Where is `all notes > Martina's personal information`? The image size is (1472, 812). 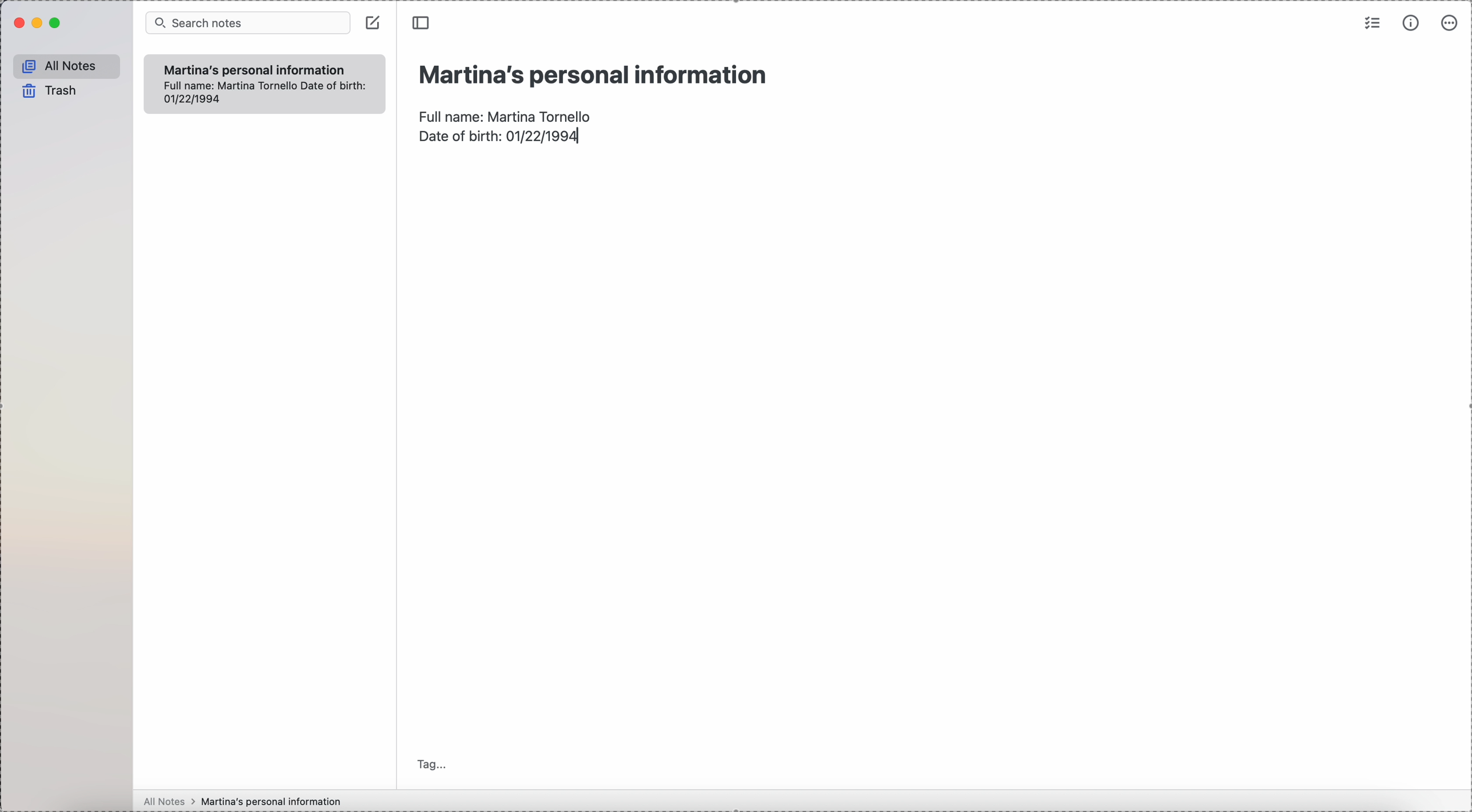
all notes > Martina's personal information is located at coordinates (241, 801).